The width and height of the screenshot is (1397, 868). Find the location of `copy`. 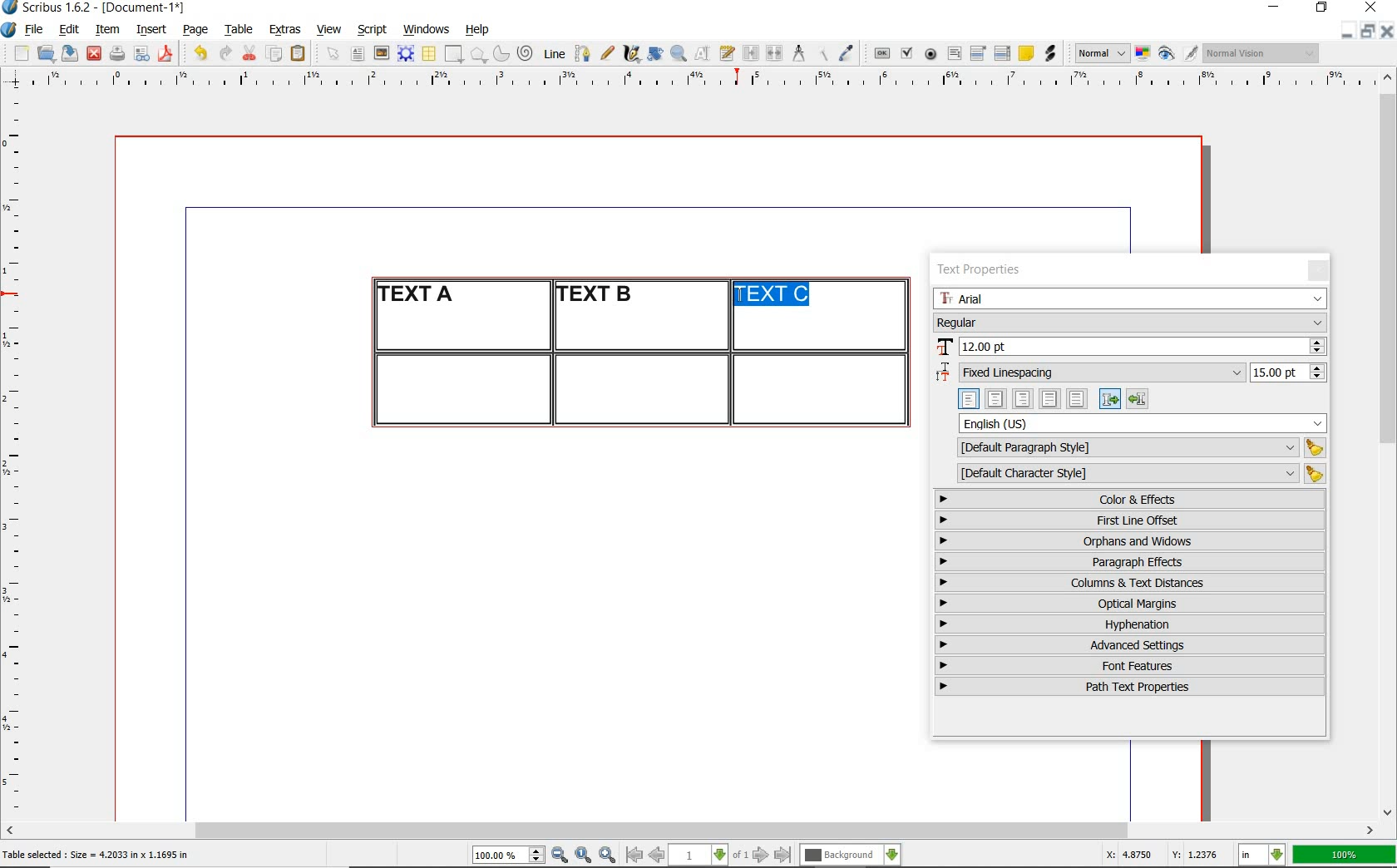

copy is located at coordinates (275, 55).